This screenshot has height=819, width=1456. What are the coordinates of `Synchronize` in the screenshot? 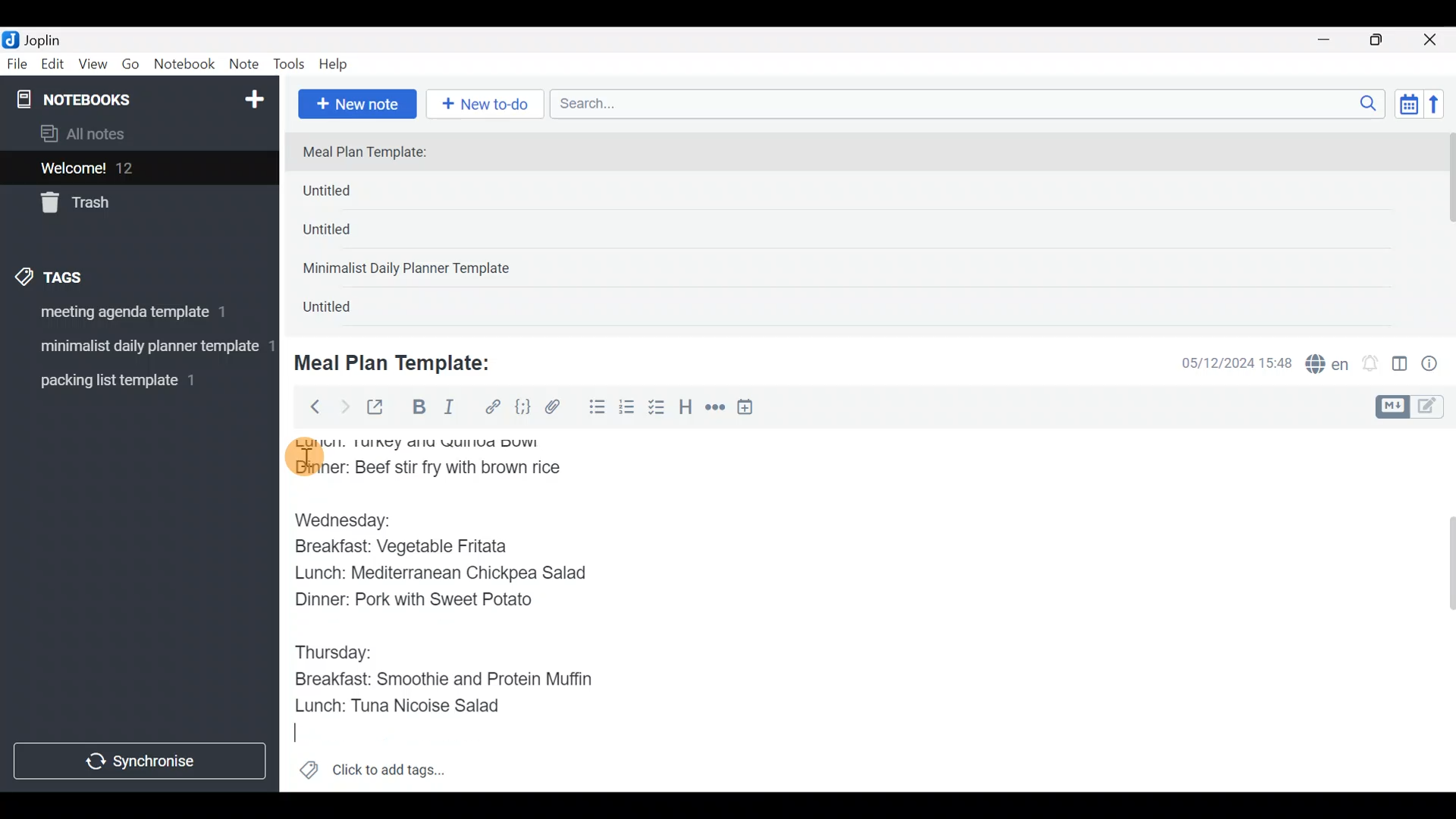 It's located at (142, 761).